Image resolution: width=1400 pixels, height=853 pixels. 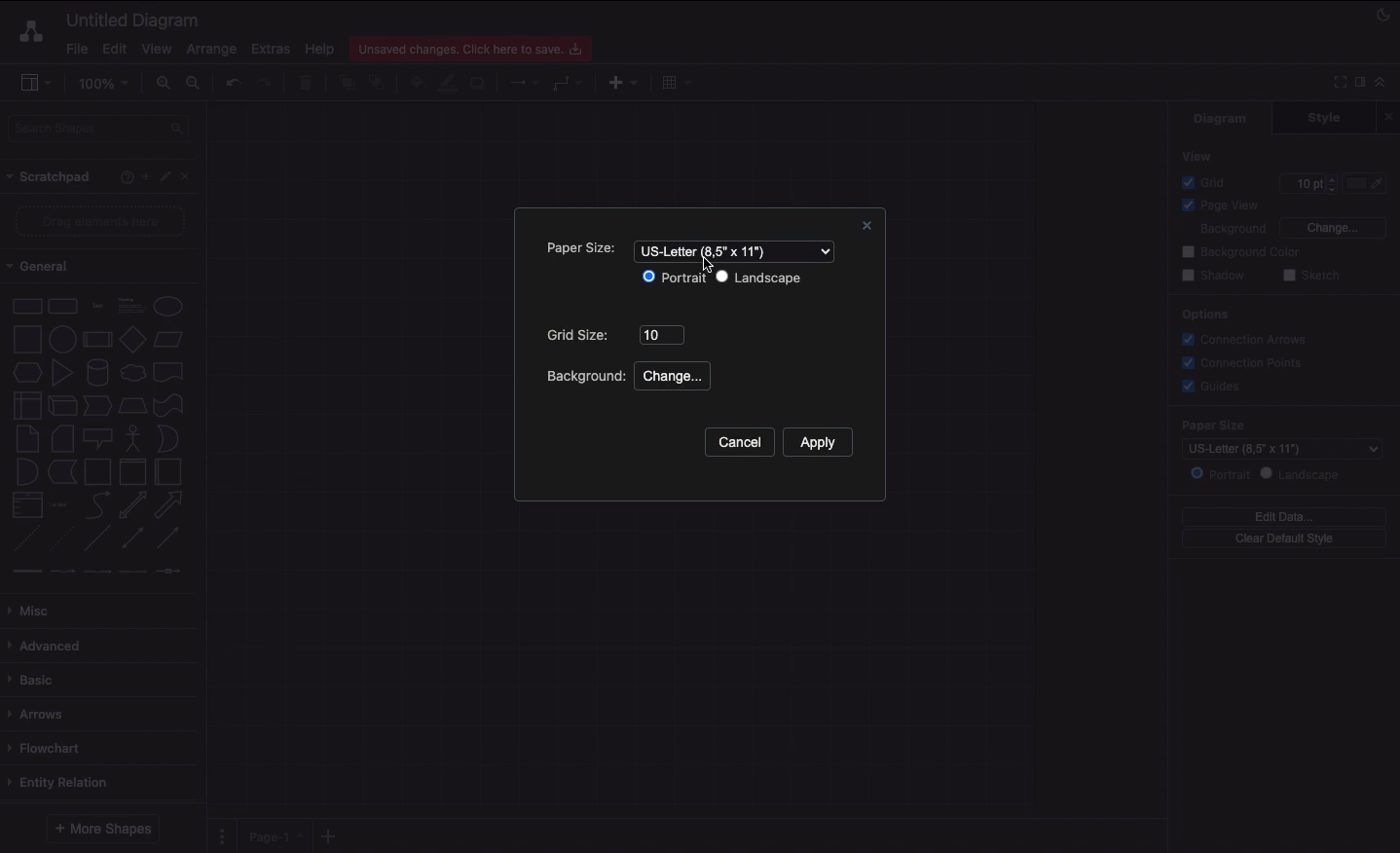 What do you see at coordinates (1284, 516) in the screenshot?
I see `Edit data` at bounding box center [1284, 516].